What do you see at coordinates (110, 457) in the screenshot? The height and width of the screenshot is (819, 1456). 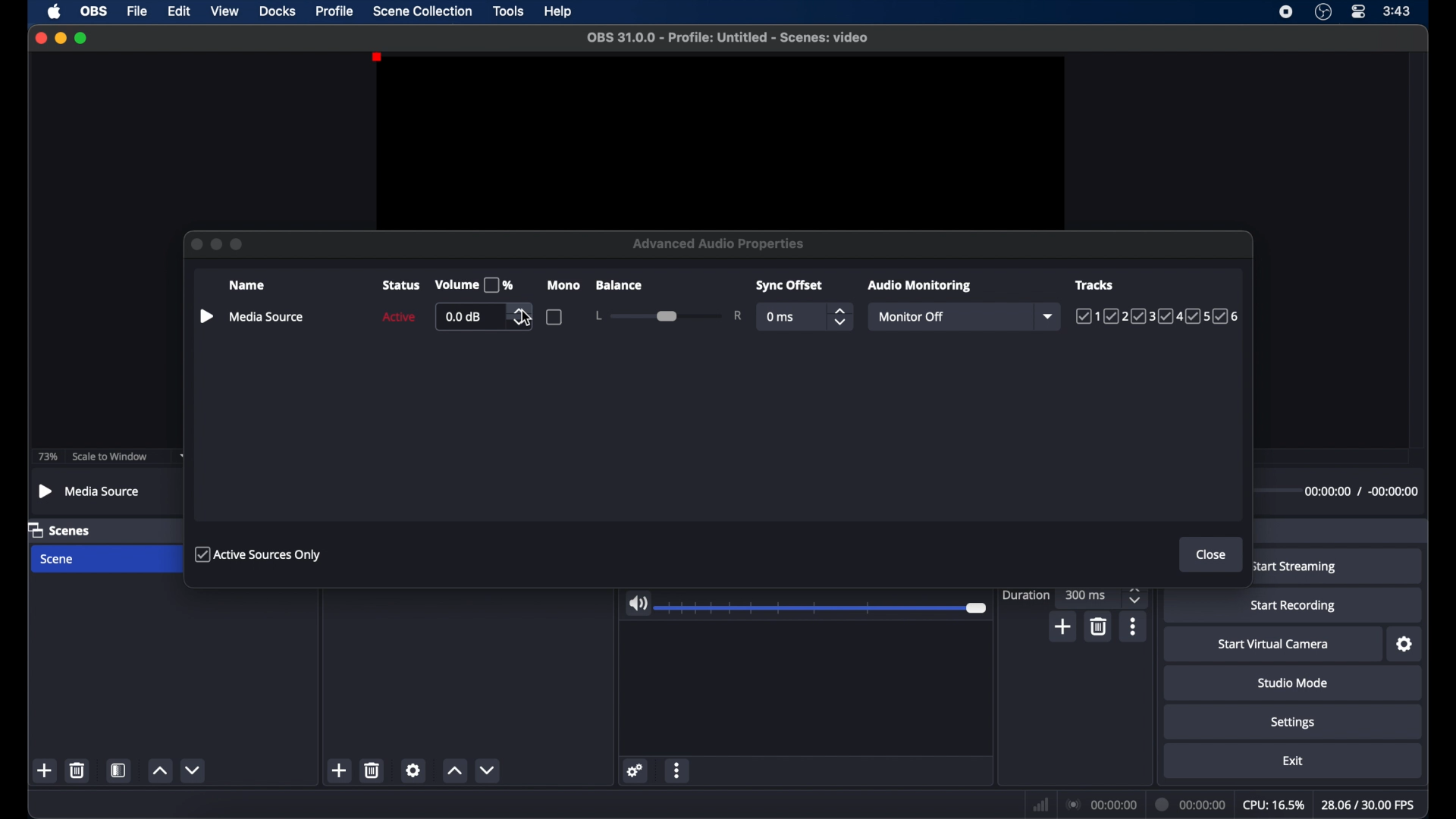 I see `scale  to window` at bounding box center [110, 457].